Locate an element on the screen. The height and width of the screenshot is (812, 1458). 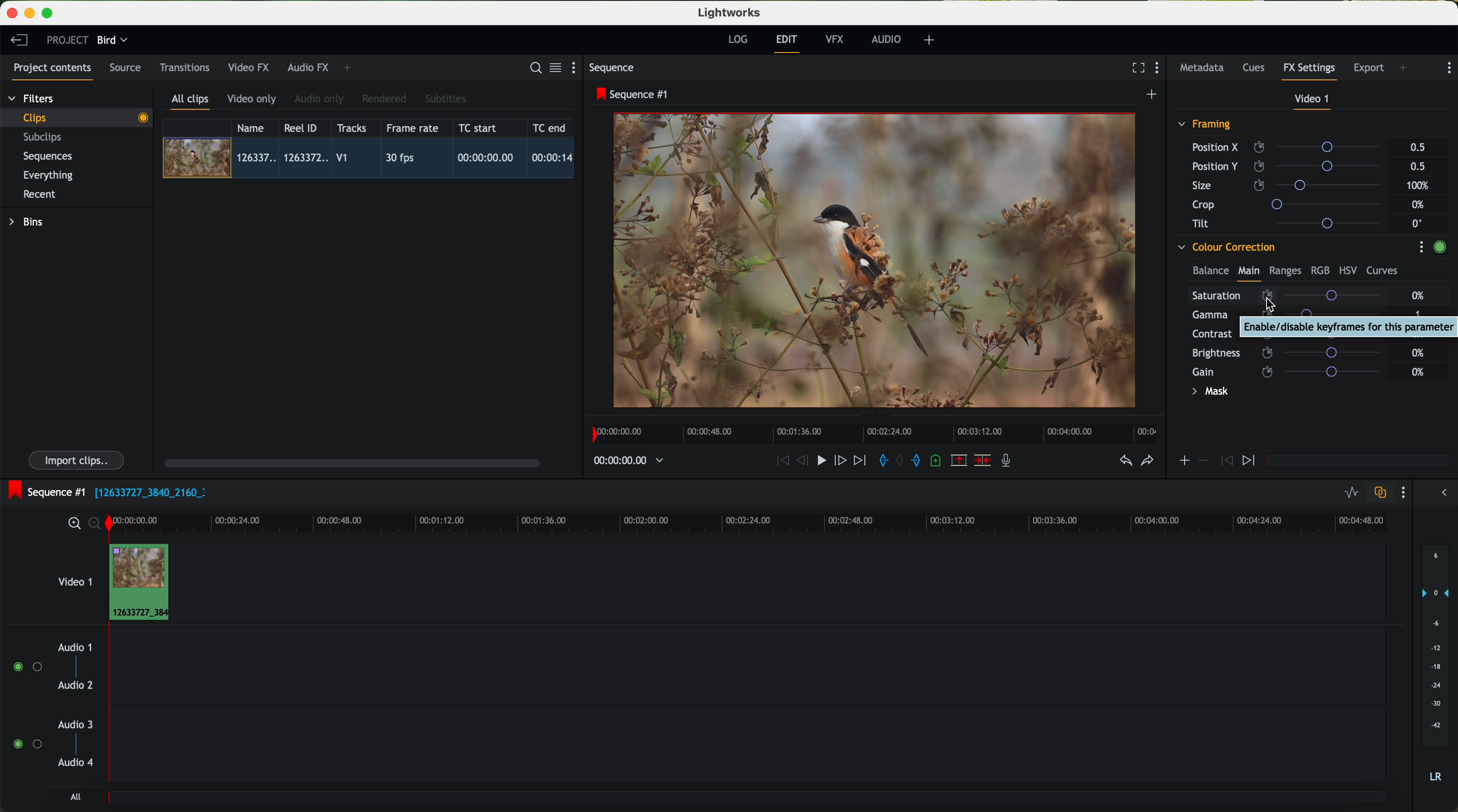
add panel is located at coordinates (1406, 69).